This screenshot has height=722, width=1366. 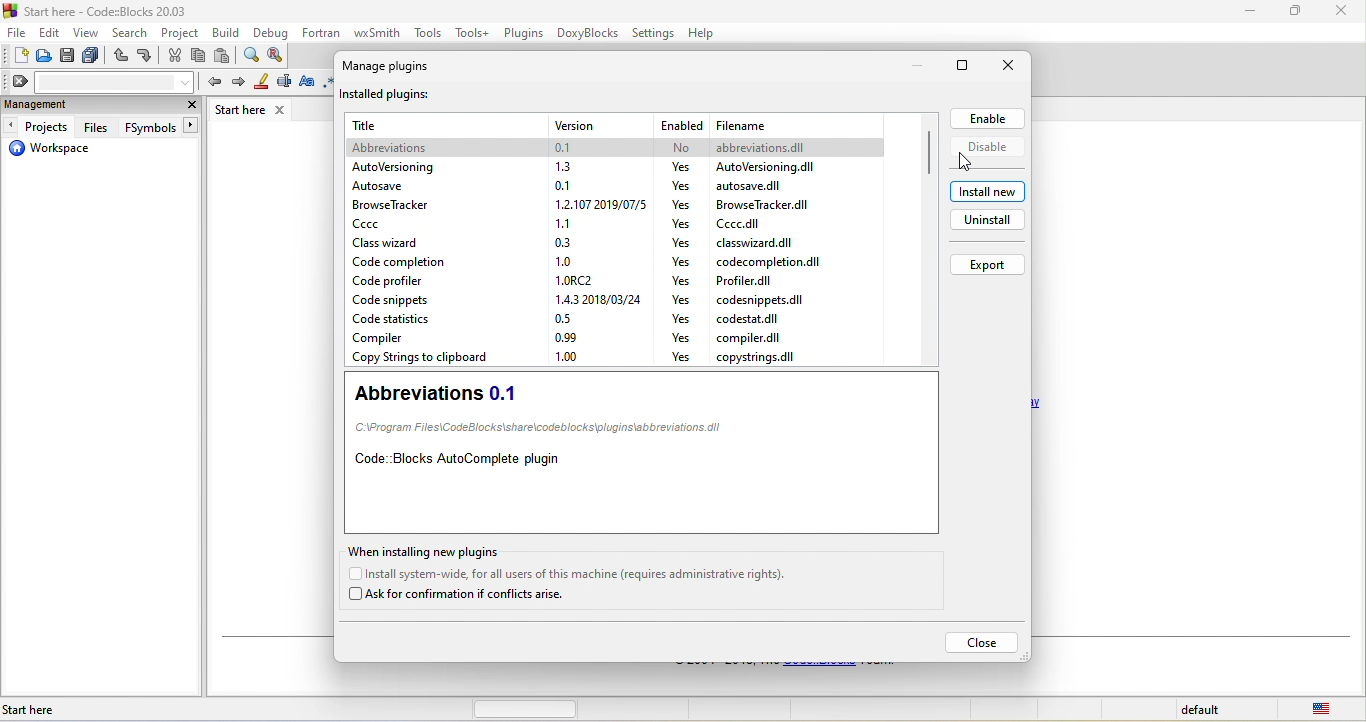 I want to click on maximize, so click(x=964, y=67).